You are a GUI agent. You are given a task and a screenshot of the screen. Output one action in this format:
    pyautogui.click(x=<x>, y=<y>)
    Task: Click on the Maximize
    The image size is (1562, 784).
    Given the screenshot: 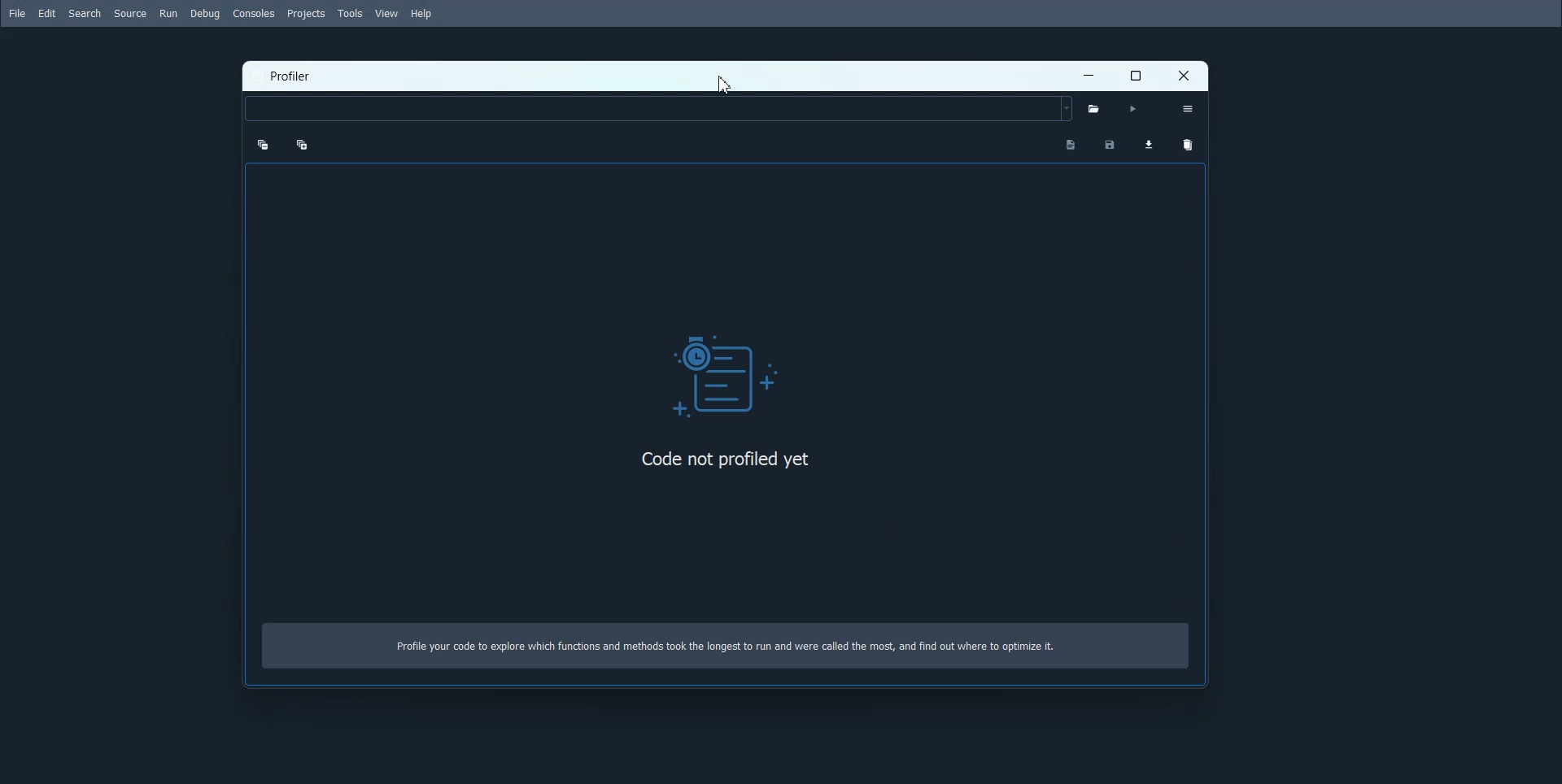 What is the action you would take?
    pyautogui.click(x=1136, y=75)
    